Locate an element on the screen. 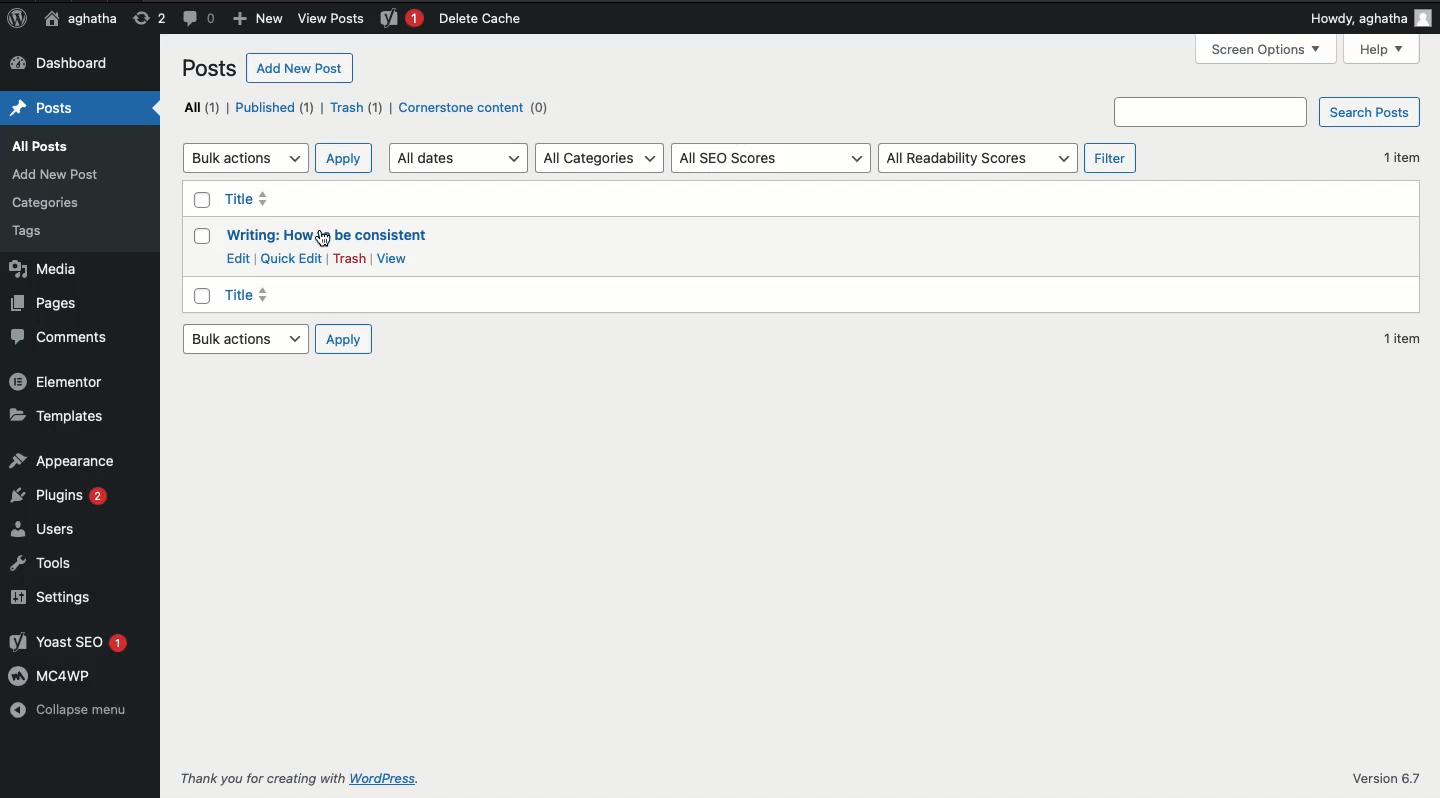 The height and width of the screenshot is (798, 1440). Return is located at coordinates (149, 21).